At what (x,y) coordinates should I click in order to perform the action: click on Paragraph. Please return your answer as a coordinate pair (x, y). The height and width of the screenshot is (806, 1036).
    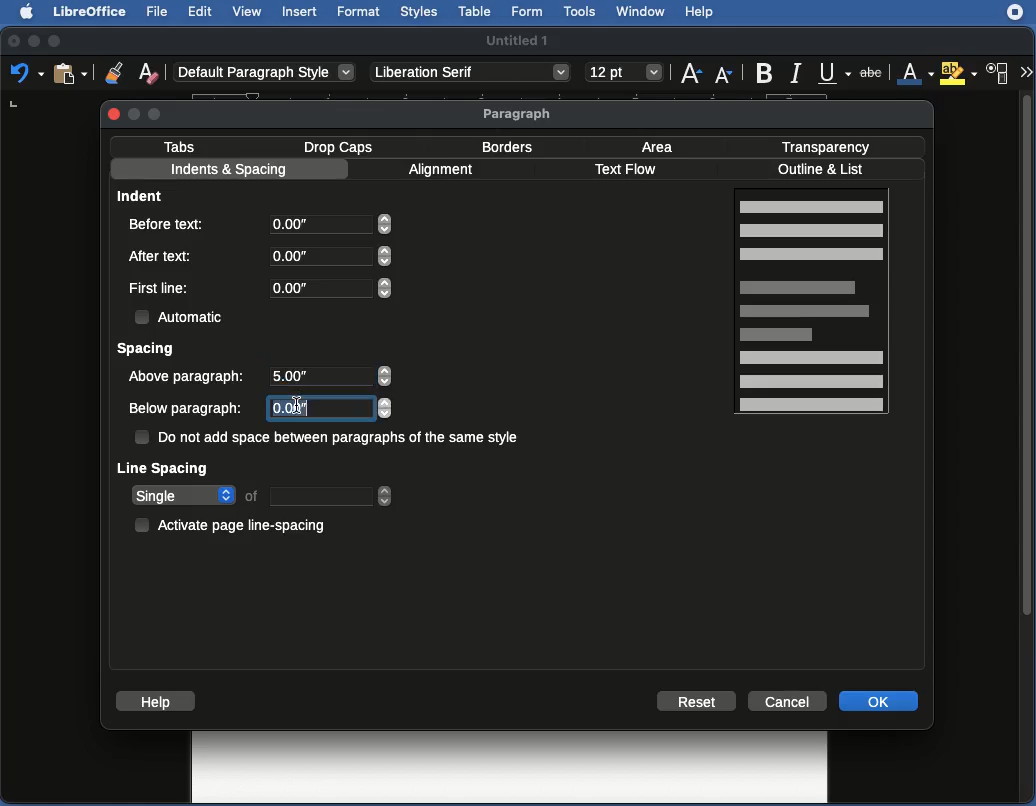
    Looking at the image, I should click on (519, 114).